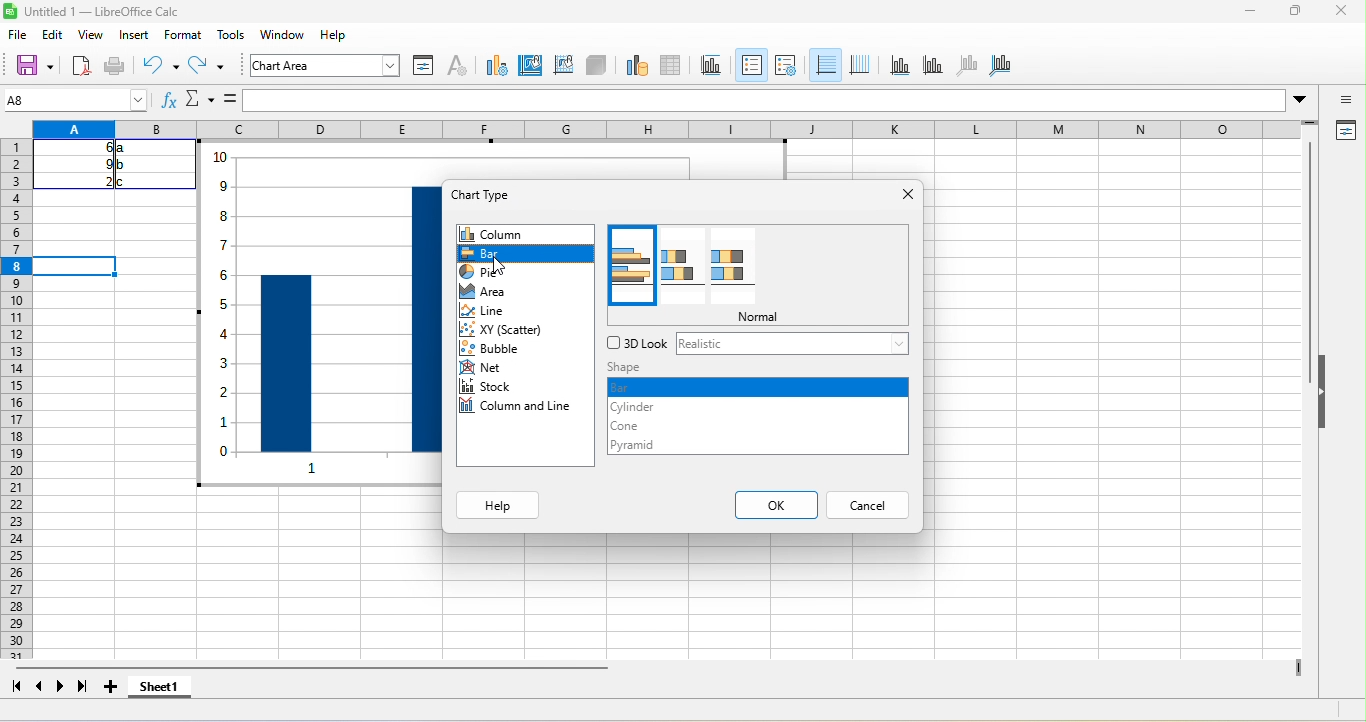 The image size is (1366, 722). What do you see at coordinates (497, 311) in the screenshot?
I see `line` at bounding box center [497, 311].